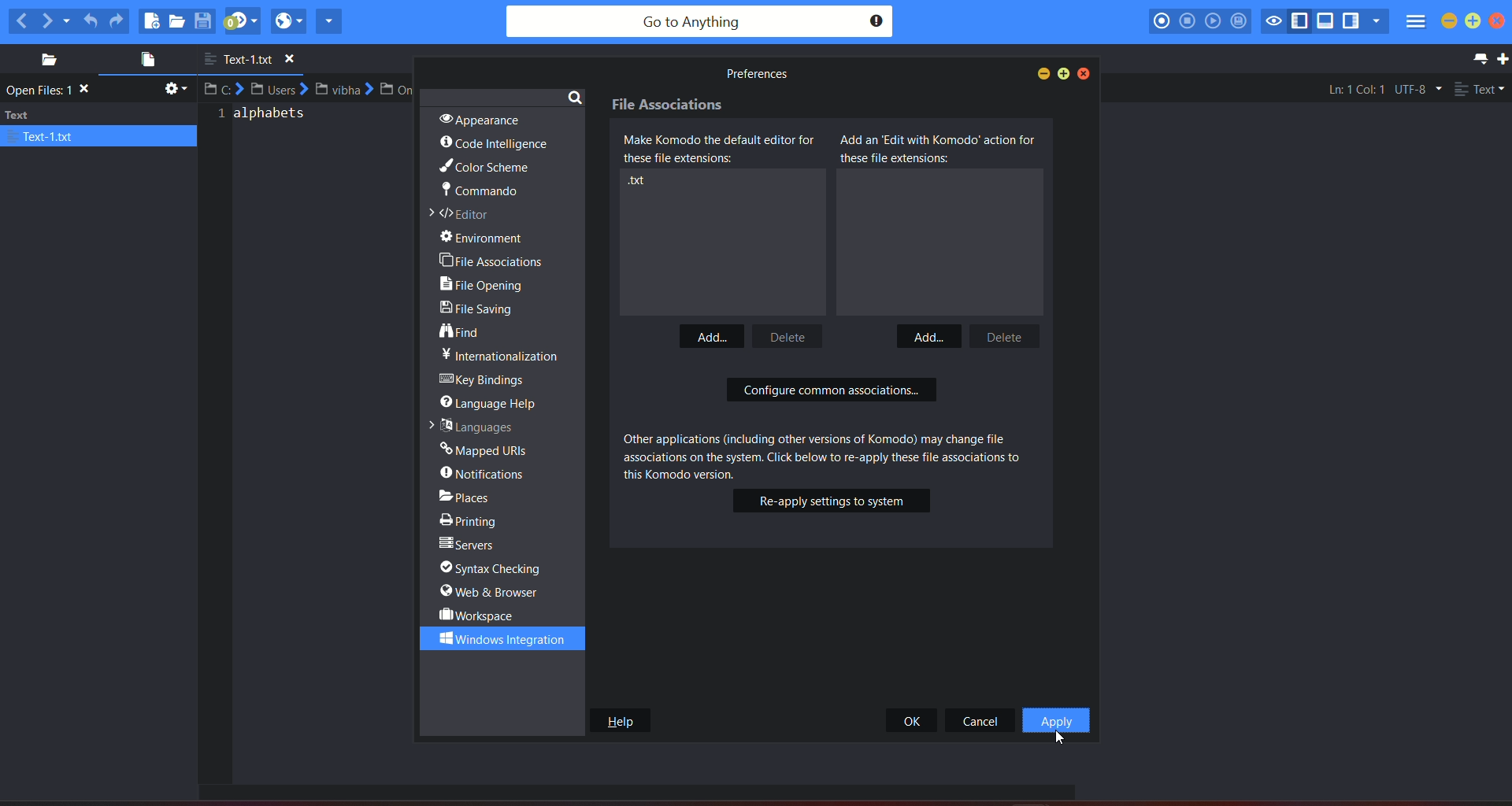 This screenshot has width=1512, height=806. I want to click on file path, so click(311, 89).